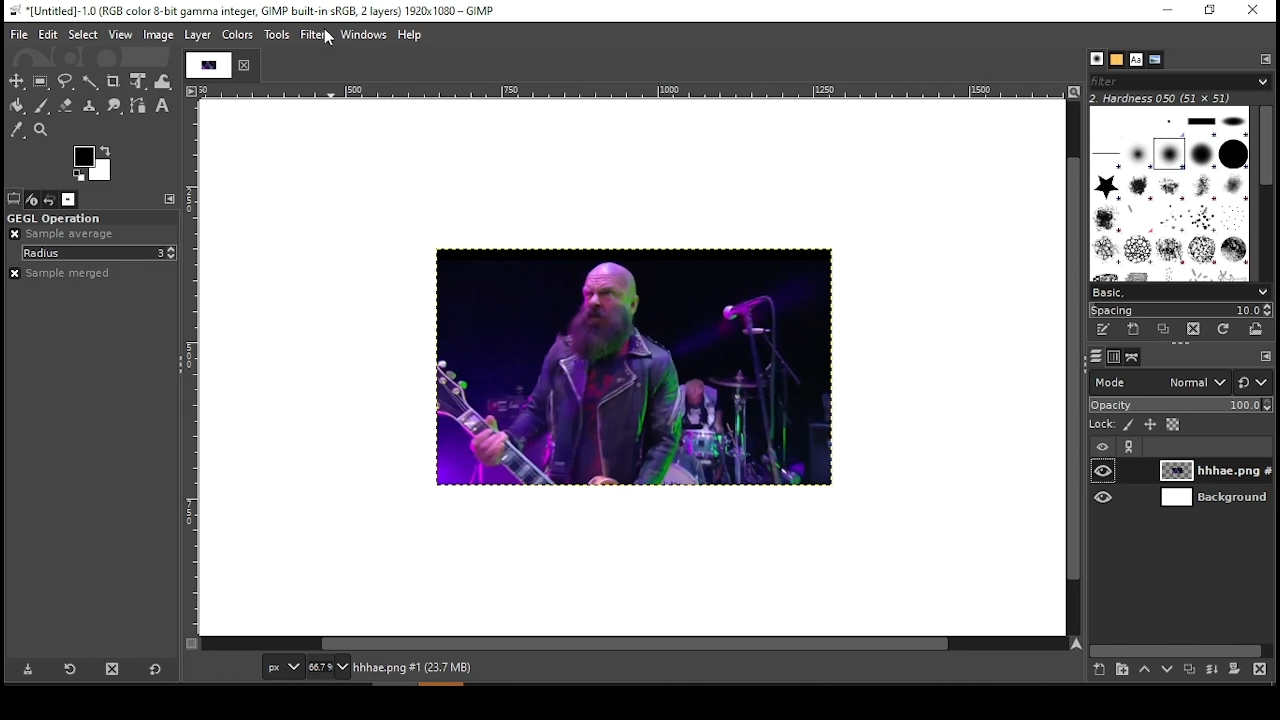  What do you see at coordinates (1092, 358) in the screenshot?
I see `layers` at bounding box center [1092, 358].